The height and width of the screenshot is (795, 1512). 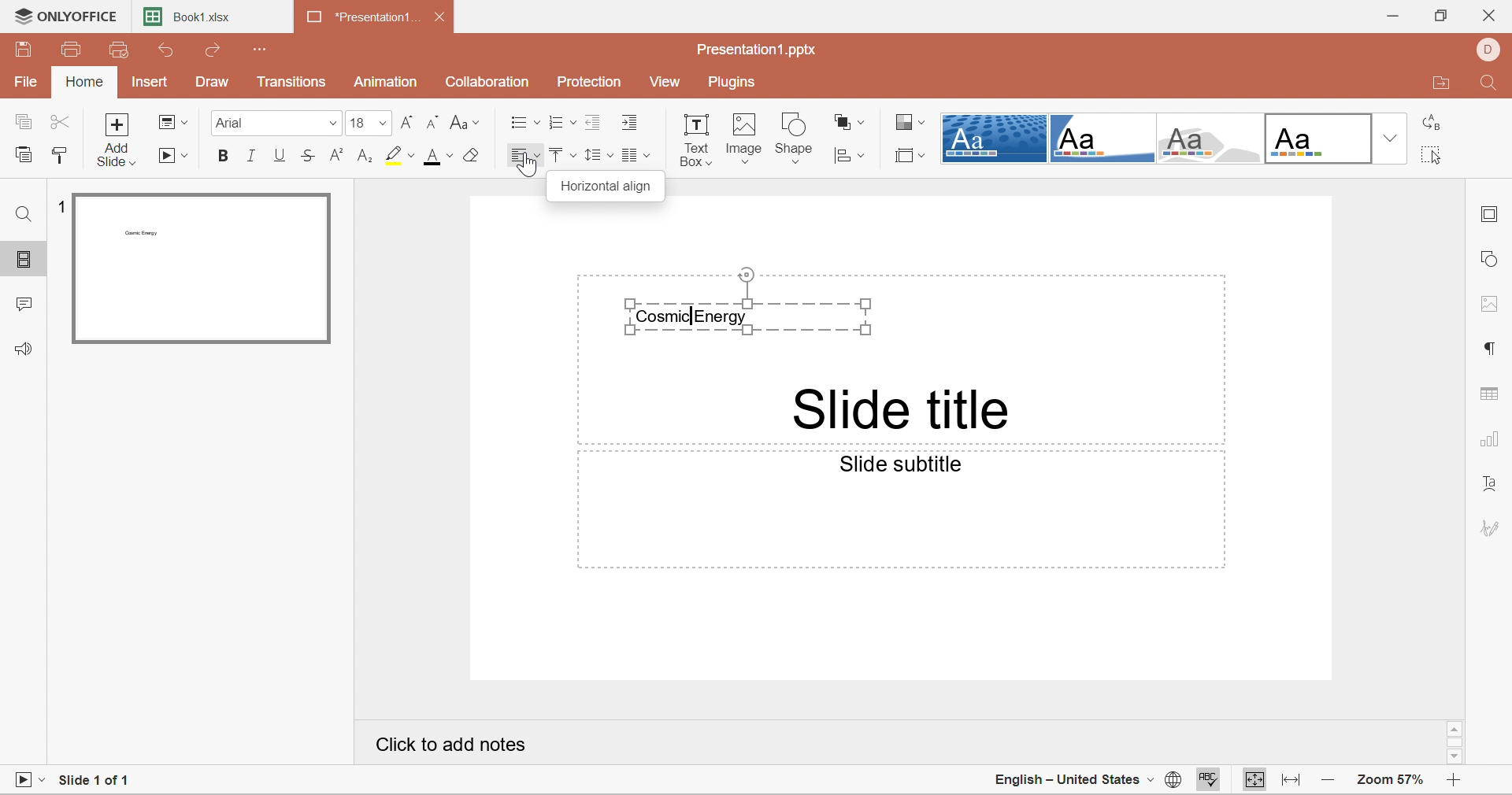 What do you see at coordinates (212, 83) in the screenshot?
I see `Draw` at bounding box center [212, 83].